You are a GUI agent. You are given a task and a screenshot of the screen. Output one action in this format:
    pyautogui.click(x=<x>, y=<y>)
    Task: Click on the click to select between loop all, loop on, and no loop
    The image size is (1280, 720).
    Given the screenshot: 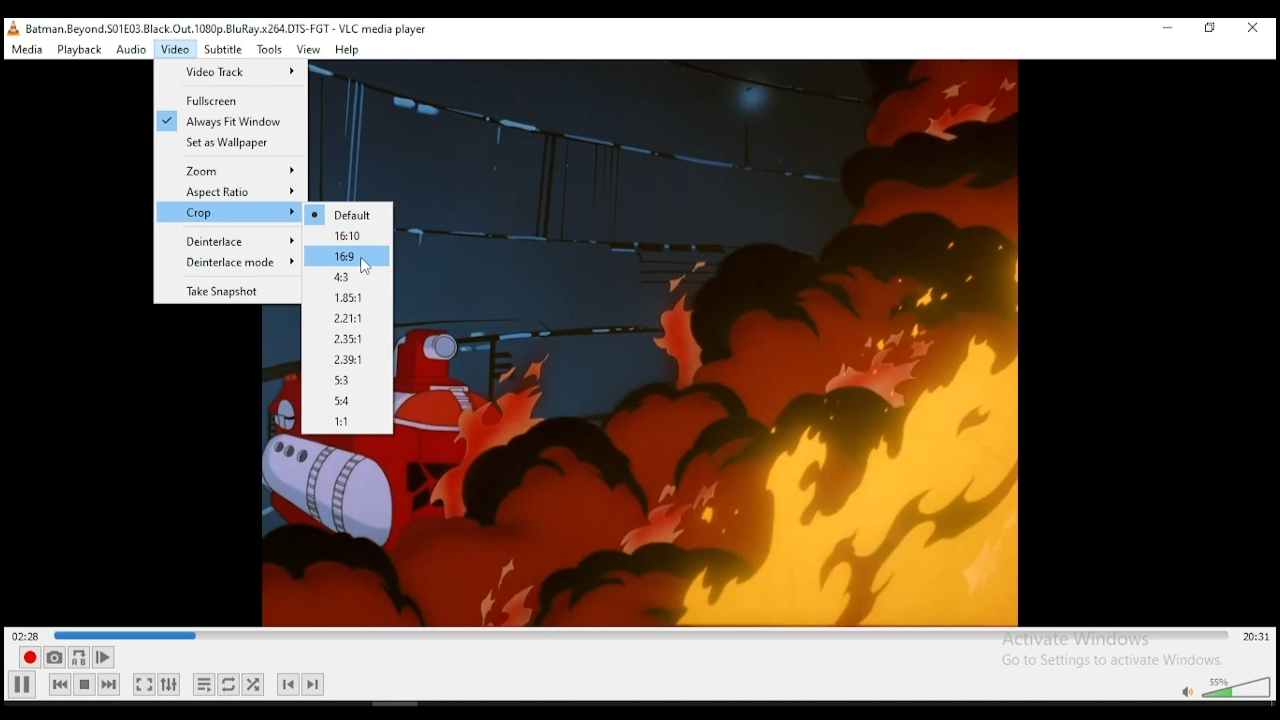 What is the action you would take?
    pyautogui.click(x=230, y=684)
    